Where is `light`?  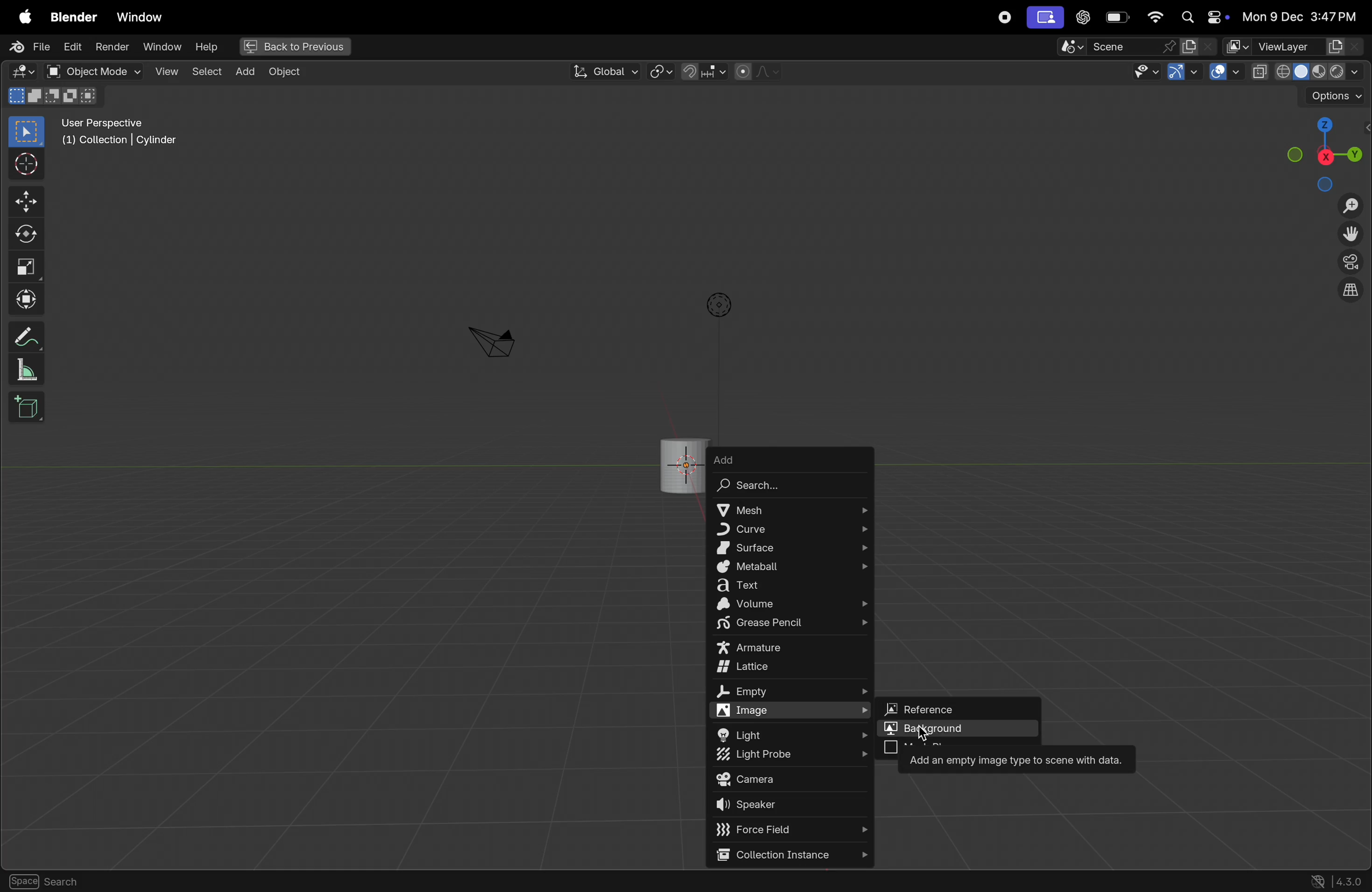 light is located at coordinates (794, 734).